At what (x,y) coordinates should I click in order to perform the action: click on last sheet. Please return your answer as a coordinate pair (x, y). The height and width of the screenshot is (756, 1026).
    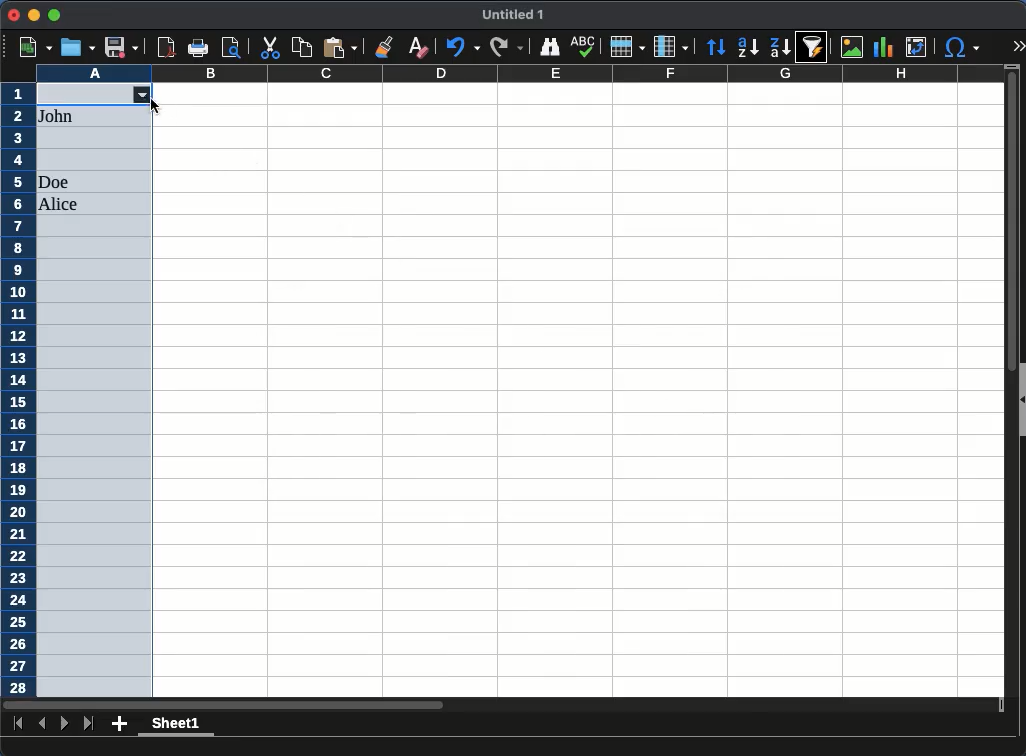
    Looking at the image, I should click on (90, 724).